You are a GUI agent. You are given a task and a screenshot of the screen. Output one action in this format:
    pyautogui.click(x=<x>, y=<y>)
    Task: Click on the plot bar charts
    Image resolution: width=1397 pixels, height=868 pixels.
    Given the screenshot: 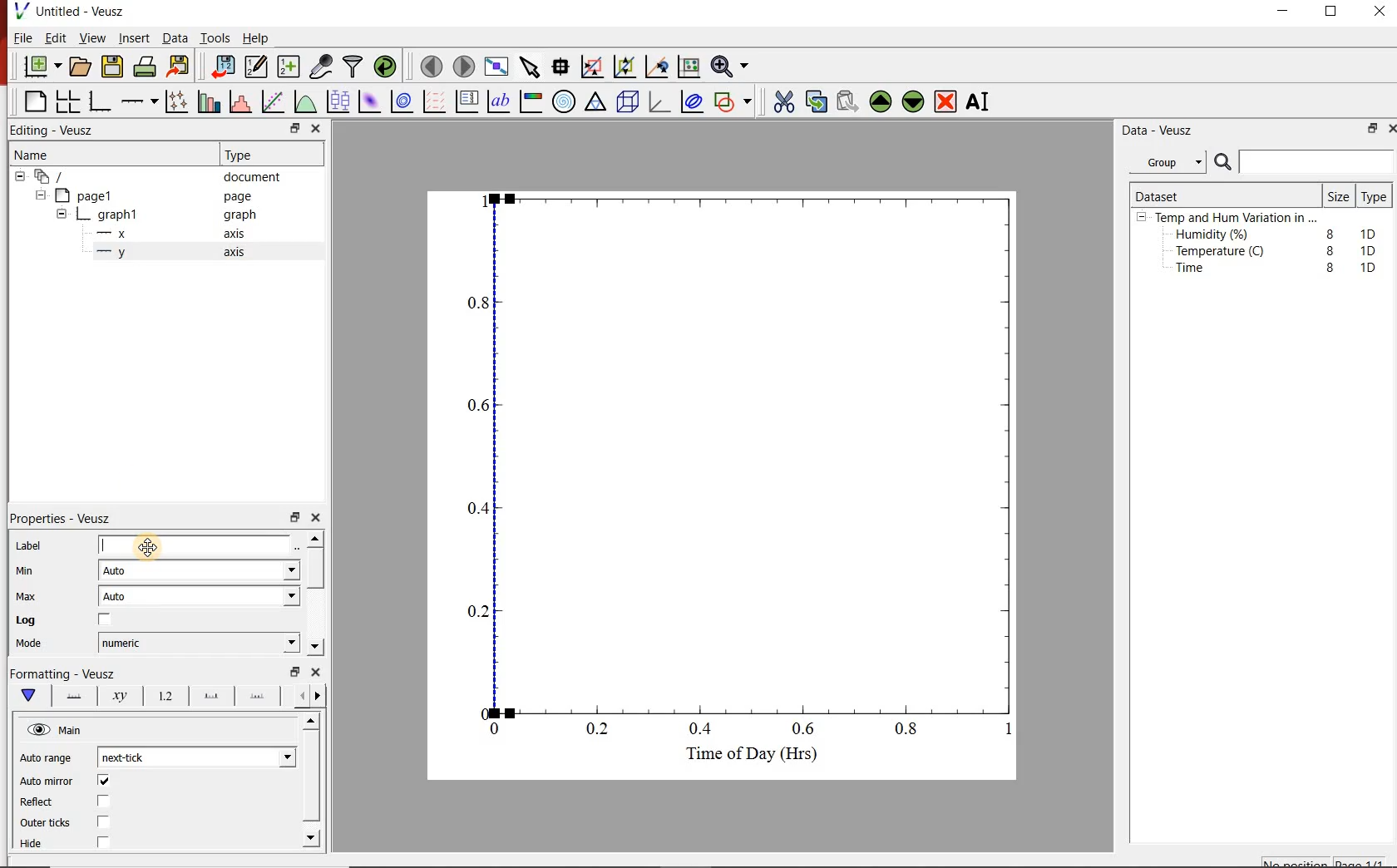 What is the action you would take?
    pyautogui.click(x=210, y=99)
    